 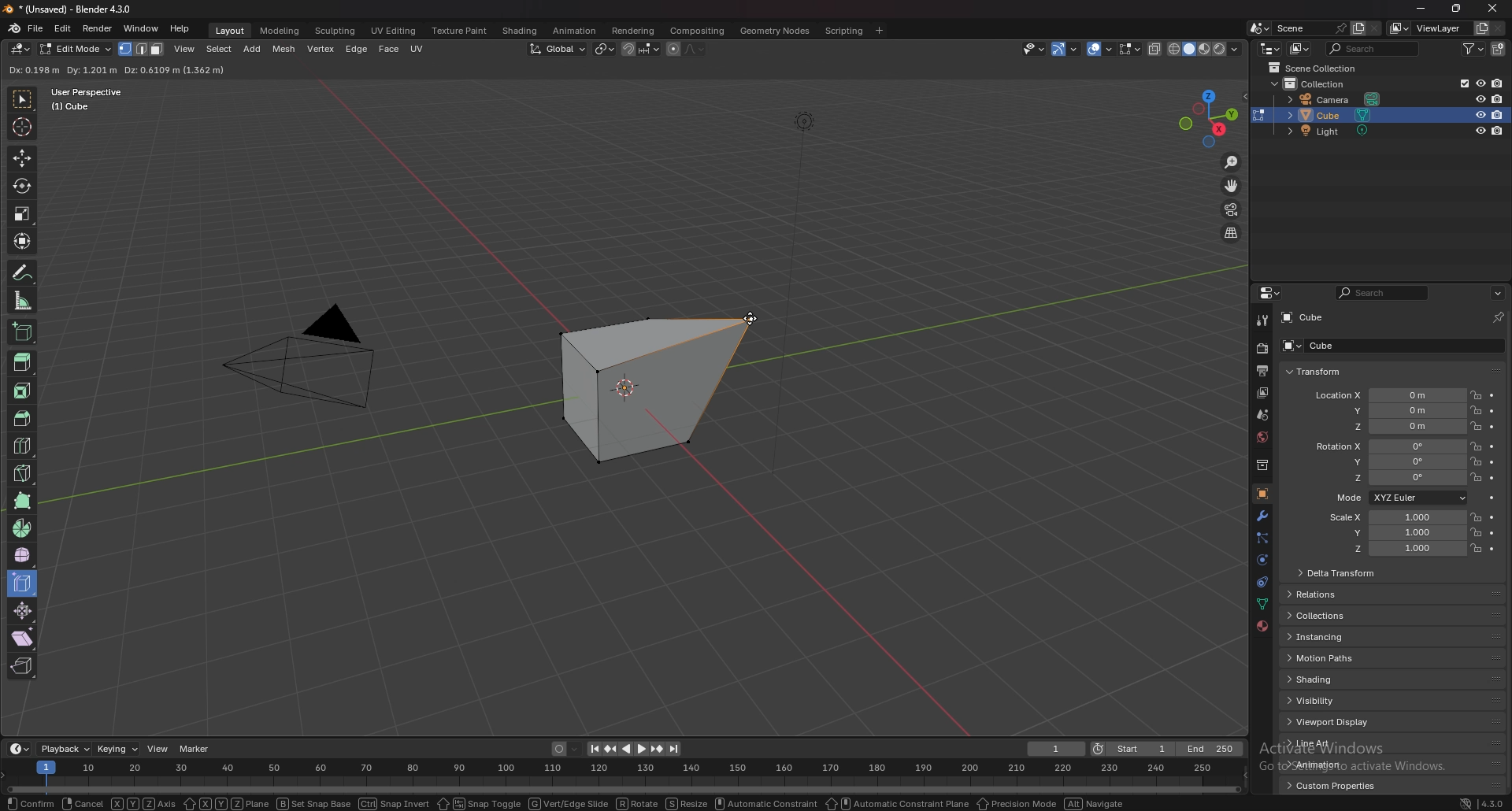 I want to click on location y, so click(x=1395, y=410).